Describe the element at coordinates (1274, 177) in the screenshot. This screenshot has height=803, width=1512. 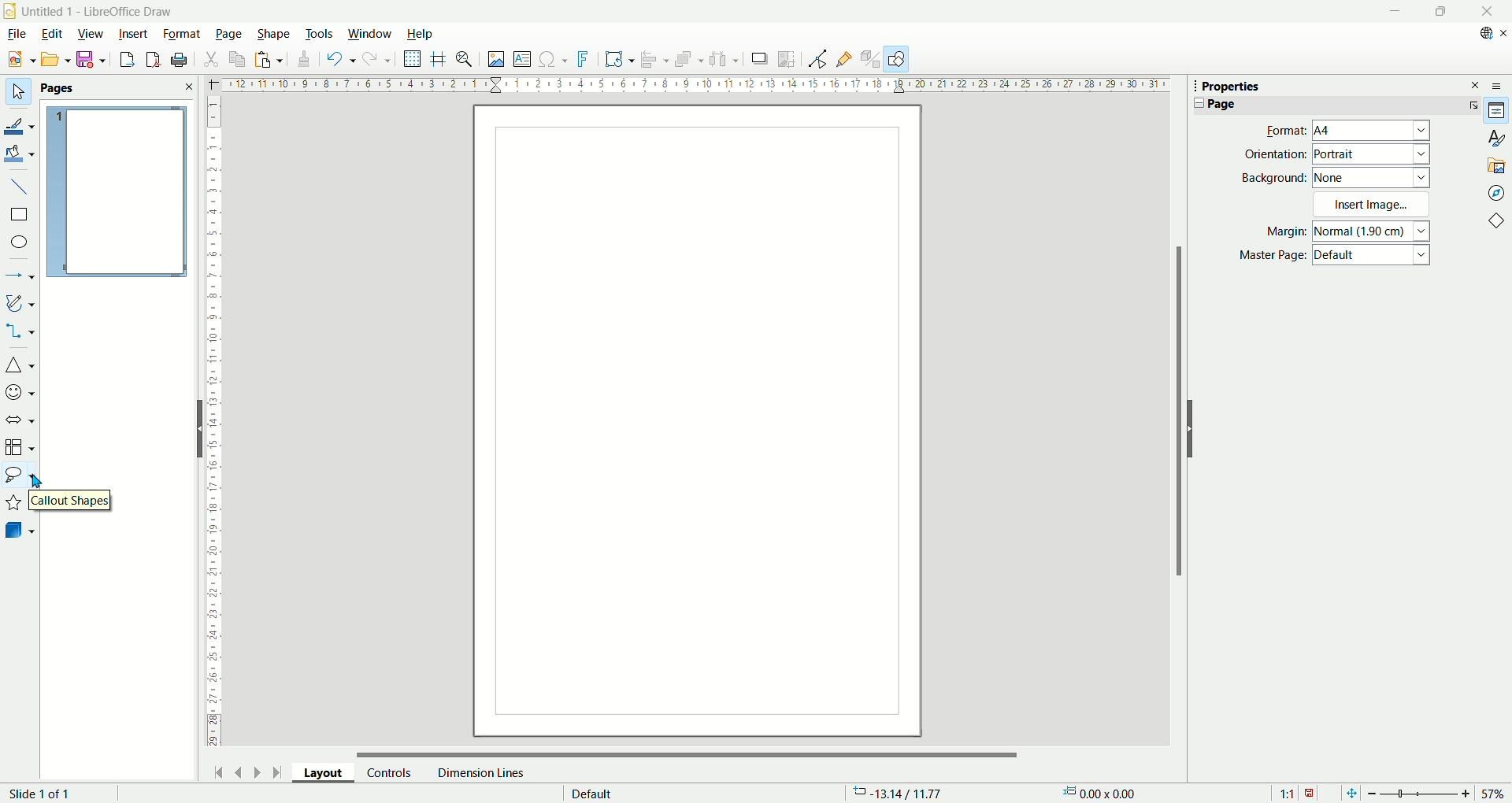
I see `Background` at that location.